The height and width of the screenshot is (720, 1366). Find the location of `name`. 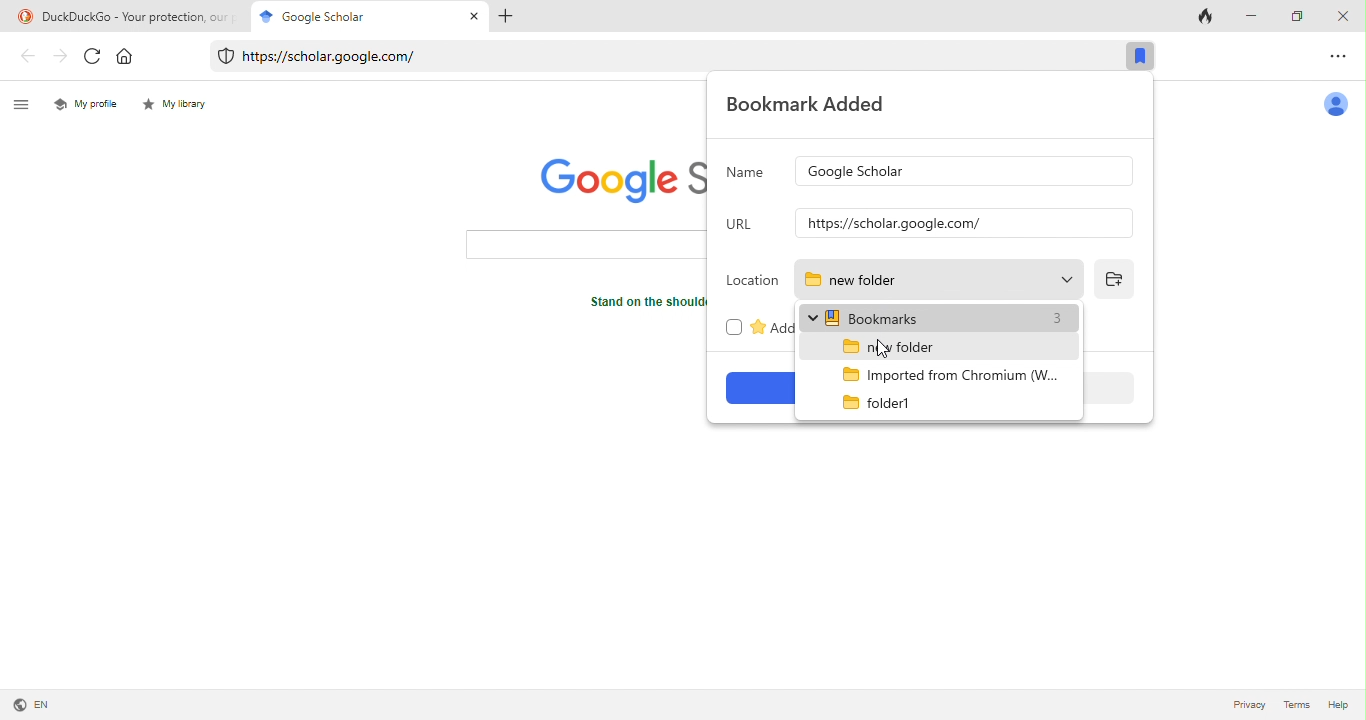

name is located at coordinates (748, 173).